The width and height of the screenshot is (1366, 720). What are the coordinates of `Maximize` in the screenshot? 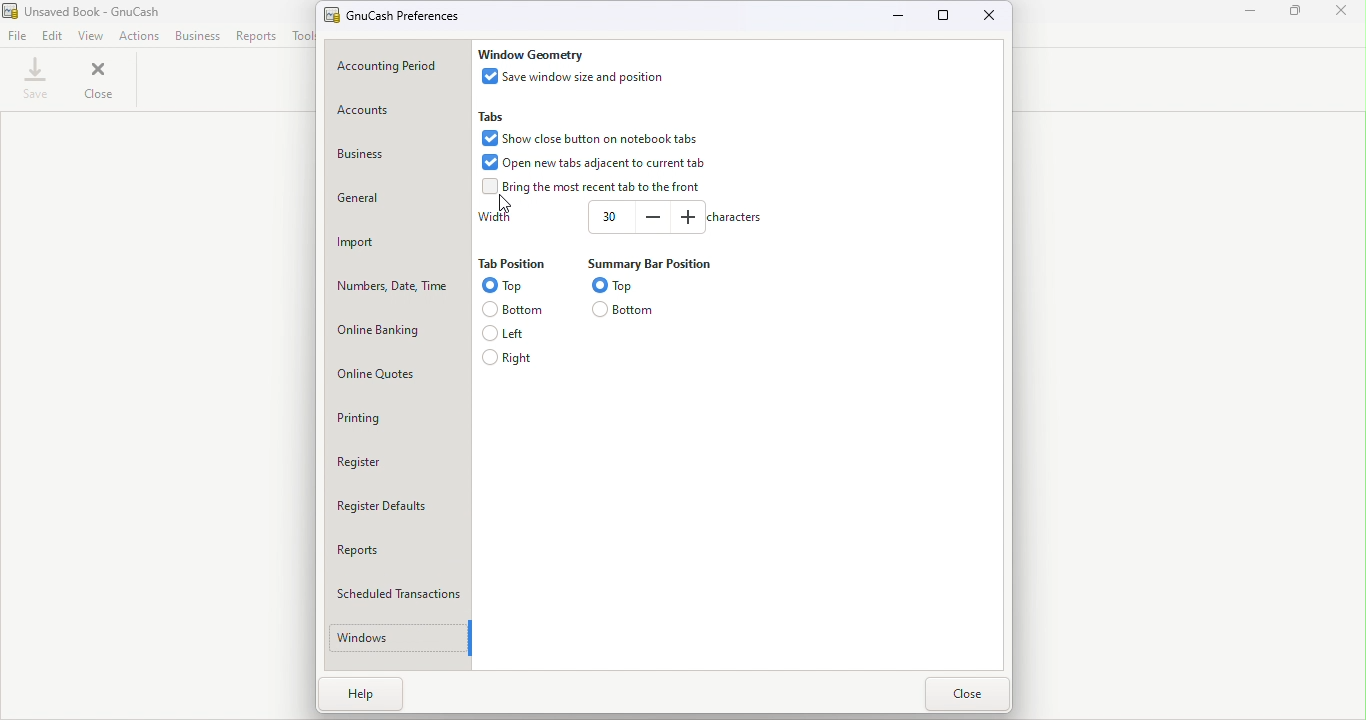 It's located at (946, 16).